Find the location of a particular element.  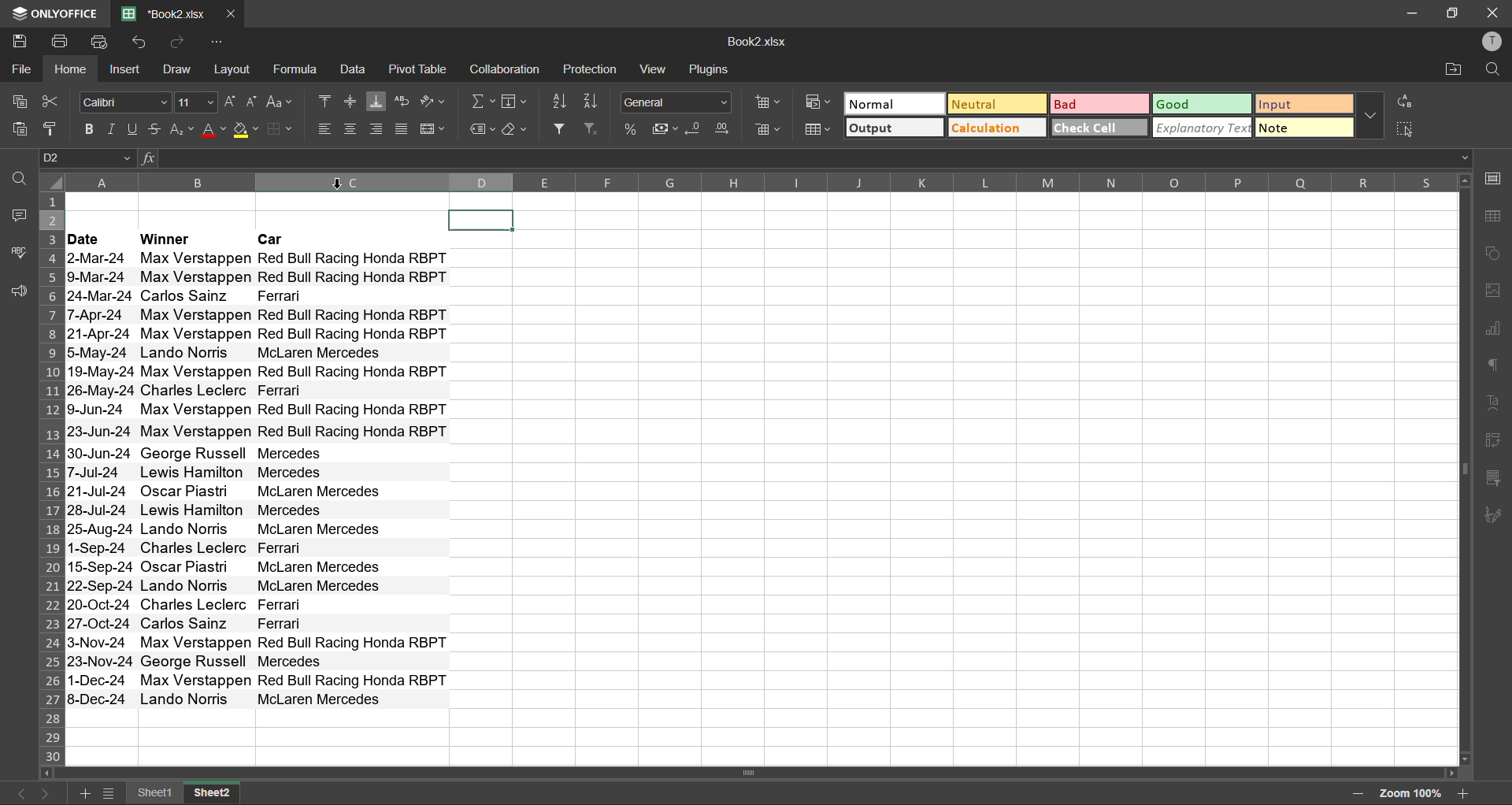

named ranges is located at coordinates (482, 129).